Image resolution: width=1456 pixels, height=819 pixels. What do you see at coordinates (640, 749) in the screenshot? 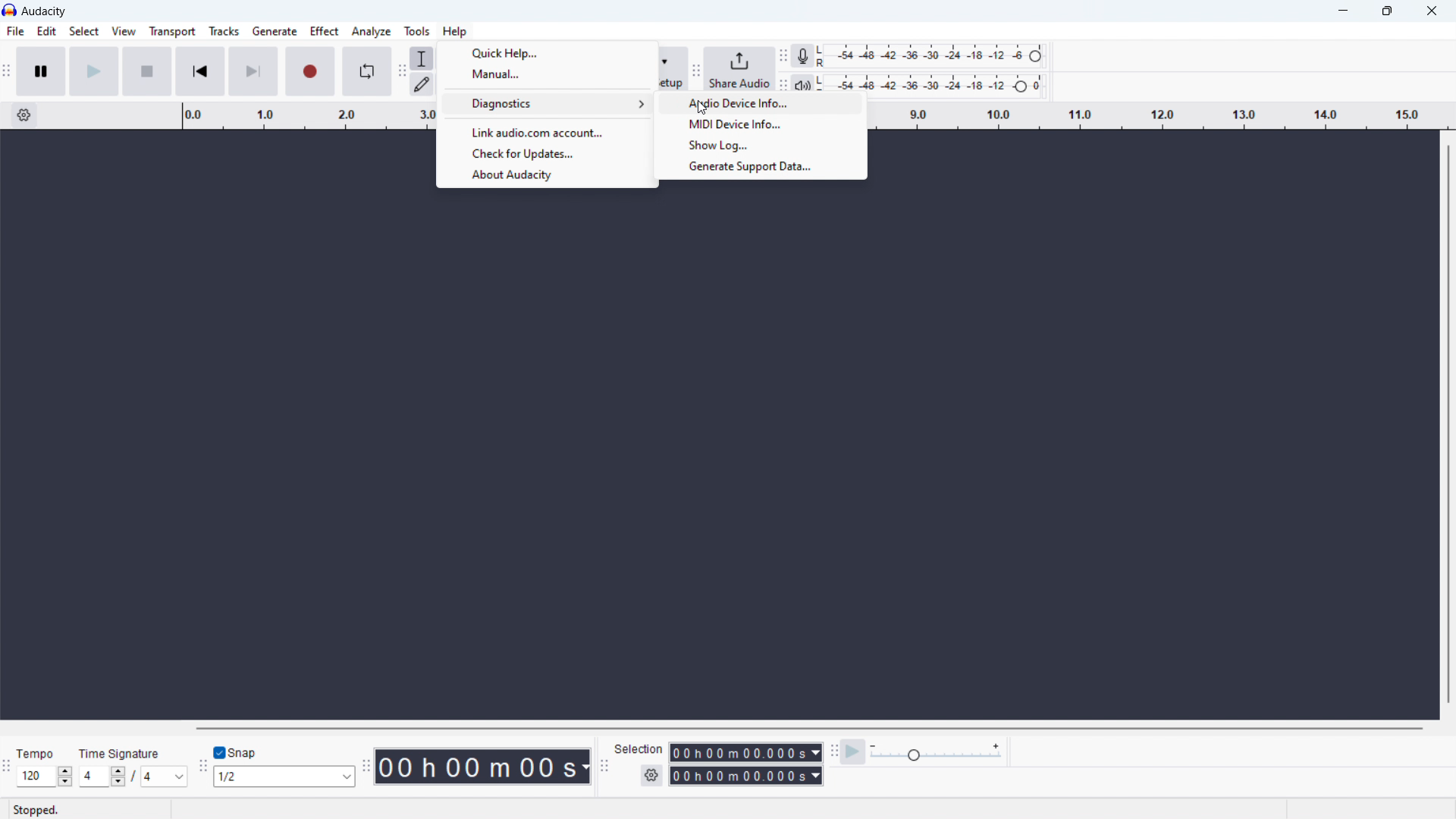
I see `Selection` at bounding box center [640, 749].